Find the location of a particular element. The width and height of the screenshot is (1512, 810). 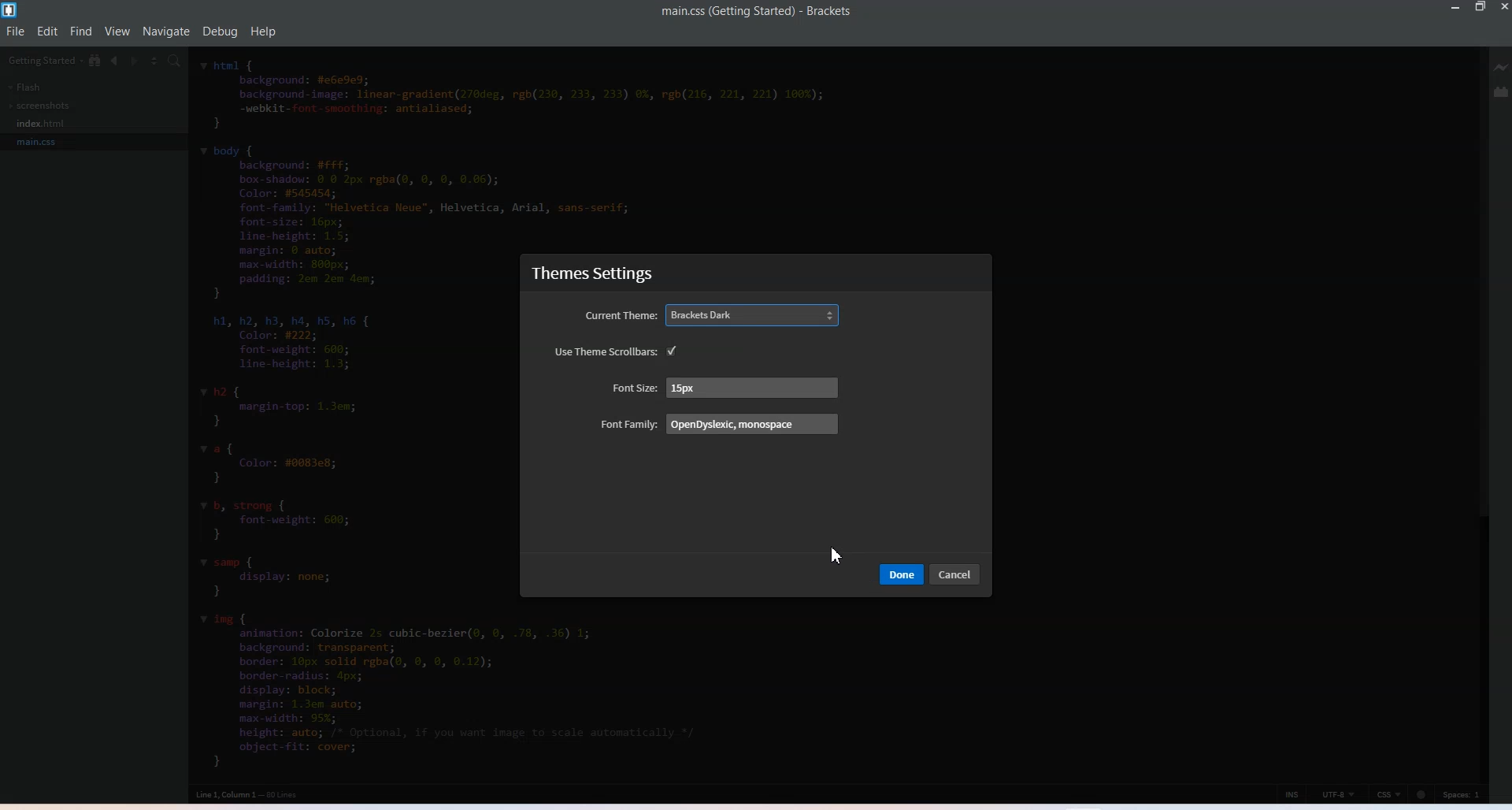

Split editor vertically and Horizontally is located at coordinates (155, 61).